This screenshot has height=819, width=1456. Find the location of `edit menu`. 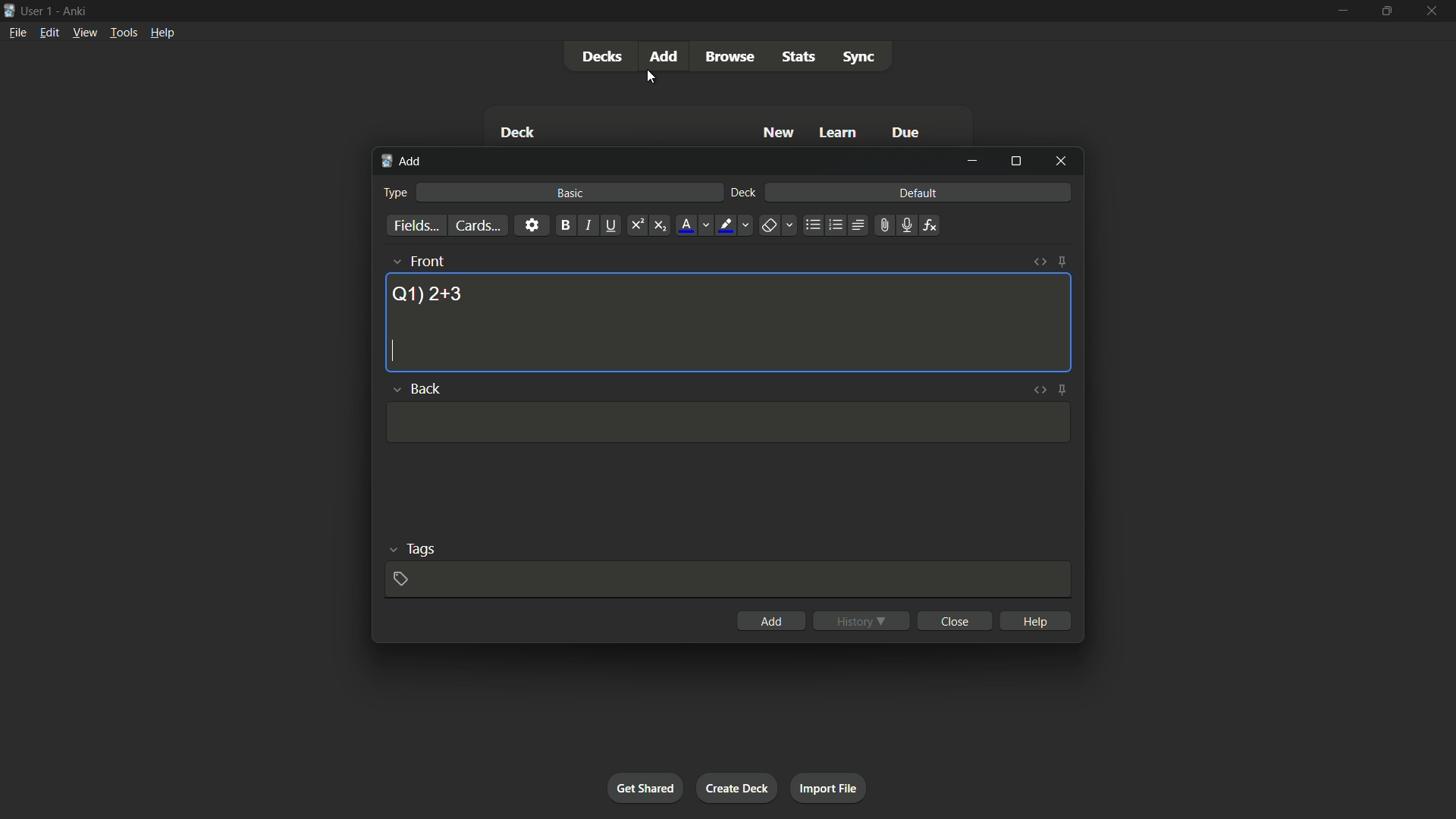

edit menu is located at coordinates (50, 32).